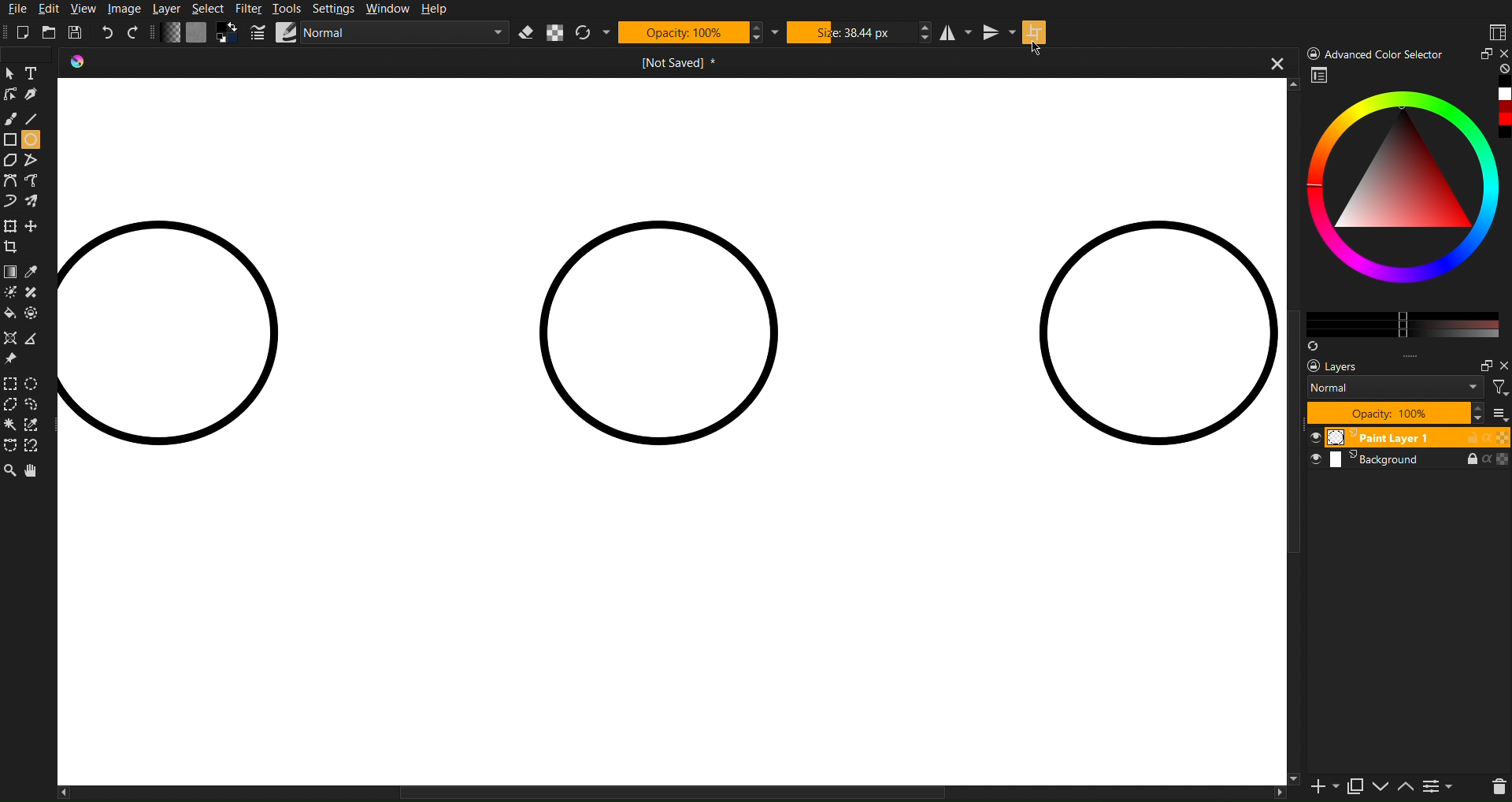 This screenshot has width=1512, height=802. What do you see at coordinates (10, 382) in the screenshot?
I see `Selection Tools` at bounding box center [10, 382].